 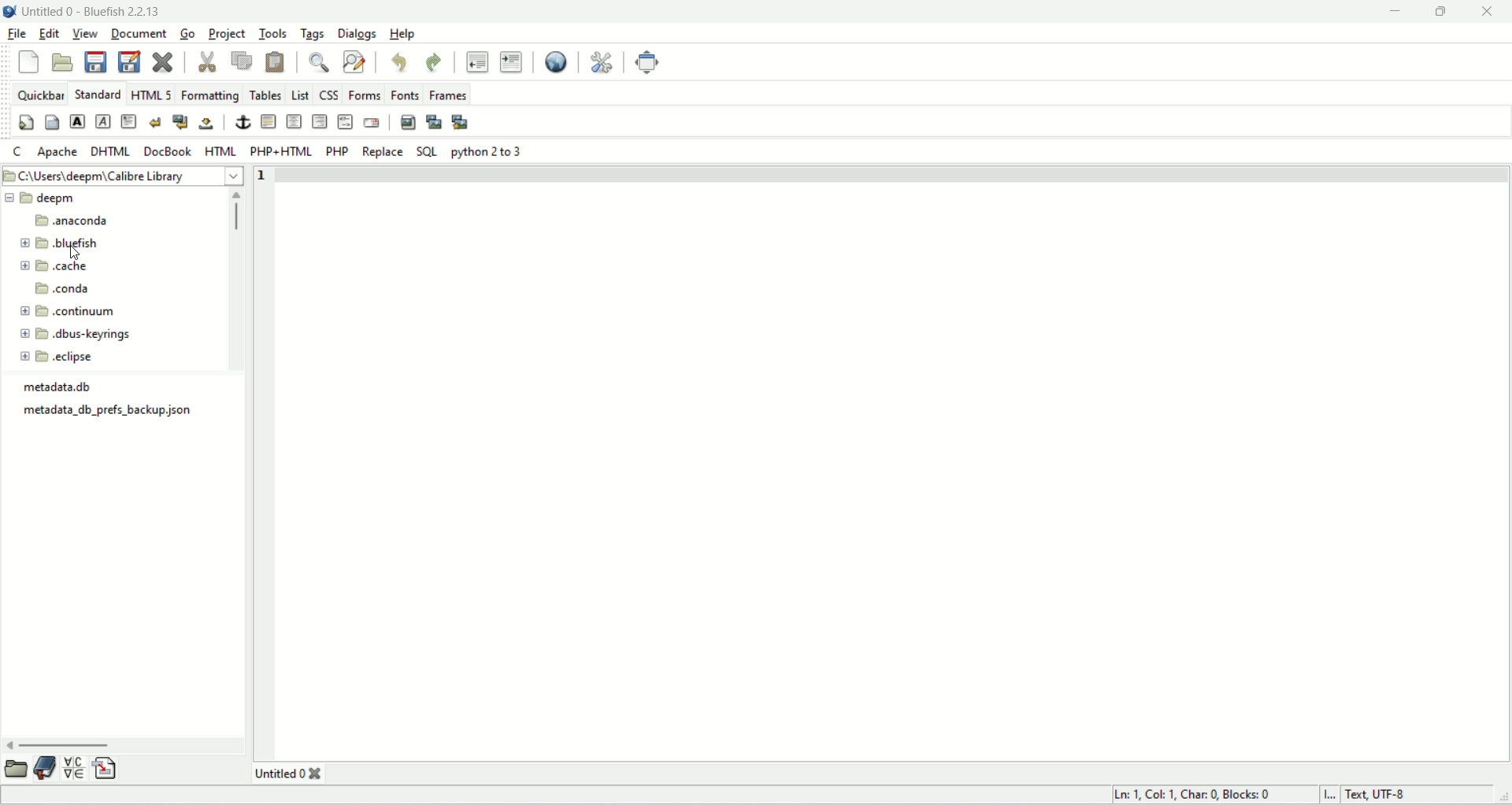 What do you see at coordinates (101, 95) in the screenshot?
I see `STANDARD` at bounding box center [101, 95].